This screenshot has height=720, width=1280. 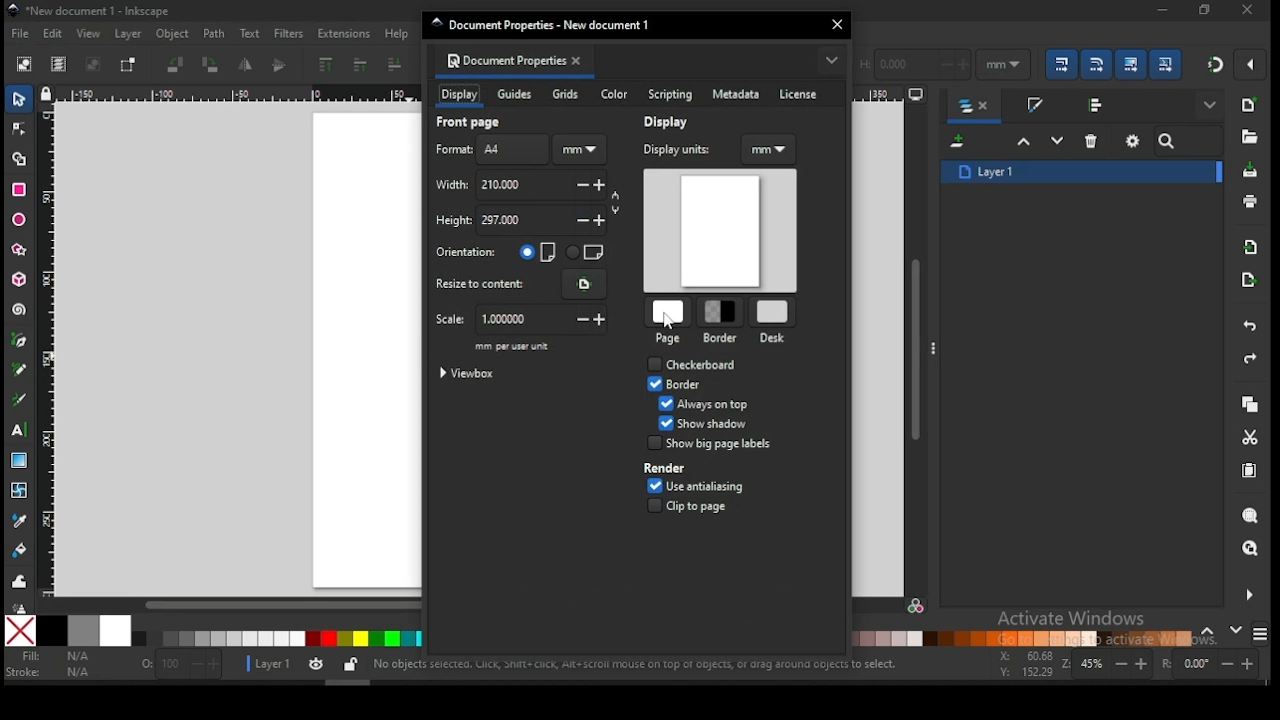 I want to click on color palette, so click(x=277, y=639).